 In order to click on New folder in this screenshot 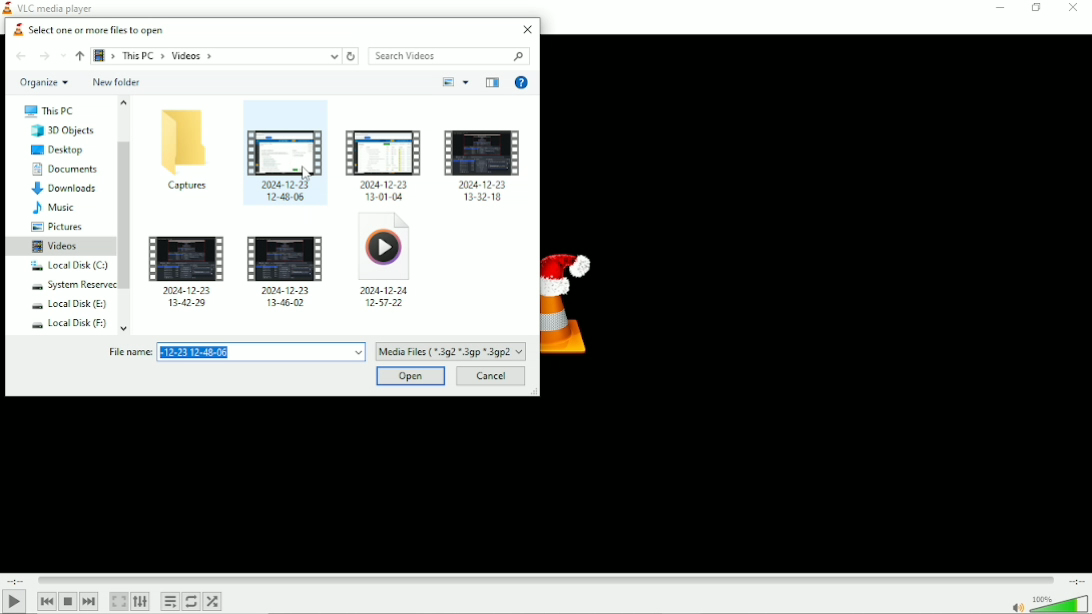, I will do `click(116, 82)`.